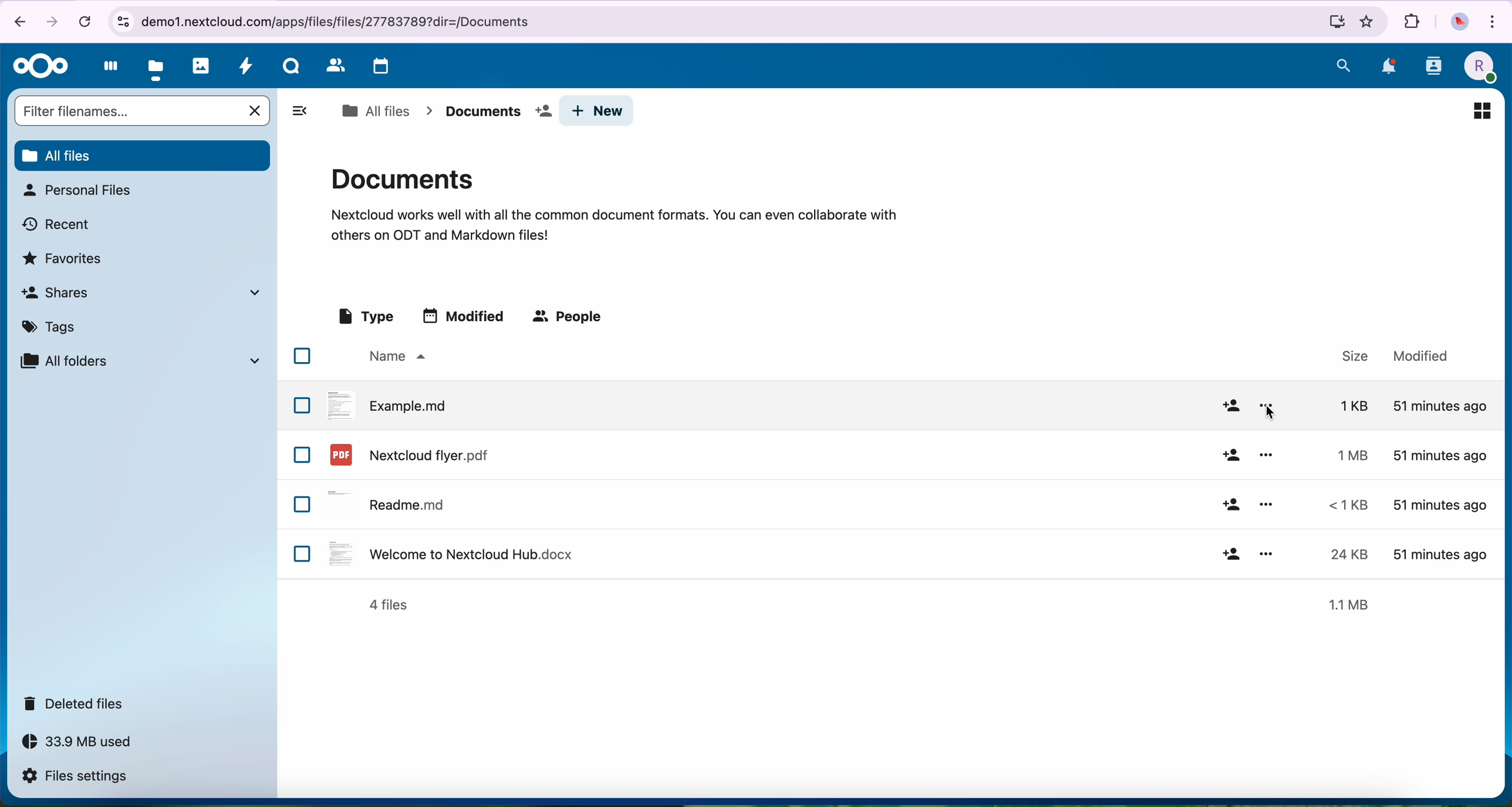 The image size is (1512, 807). What do you see at coordinates (407, 454) in the screenshot?
I see `nextcloud flyer.pdf` at bounding box center [407, 454].